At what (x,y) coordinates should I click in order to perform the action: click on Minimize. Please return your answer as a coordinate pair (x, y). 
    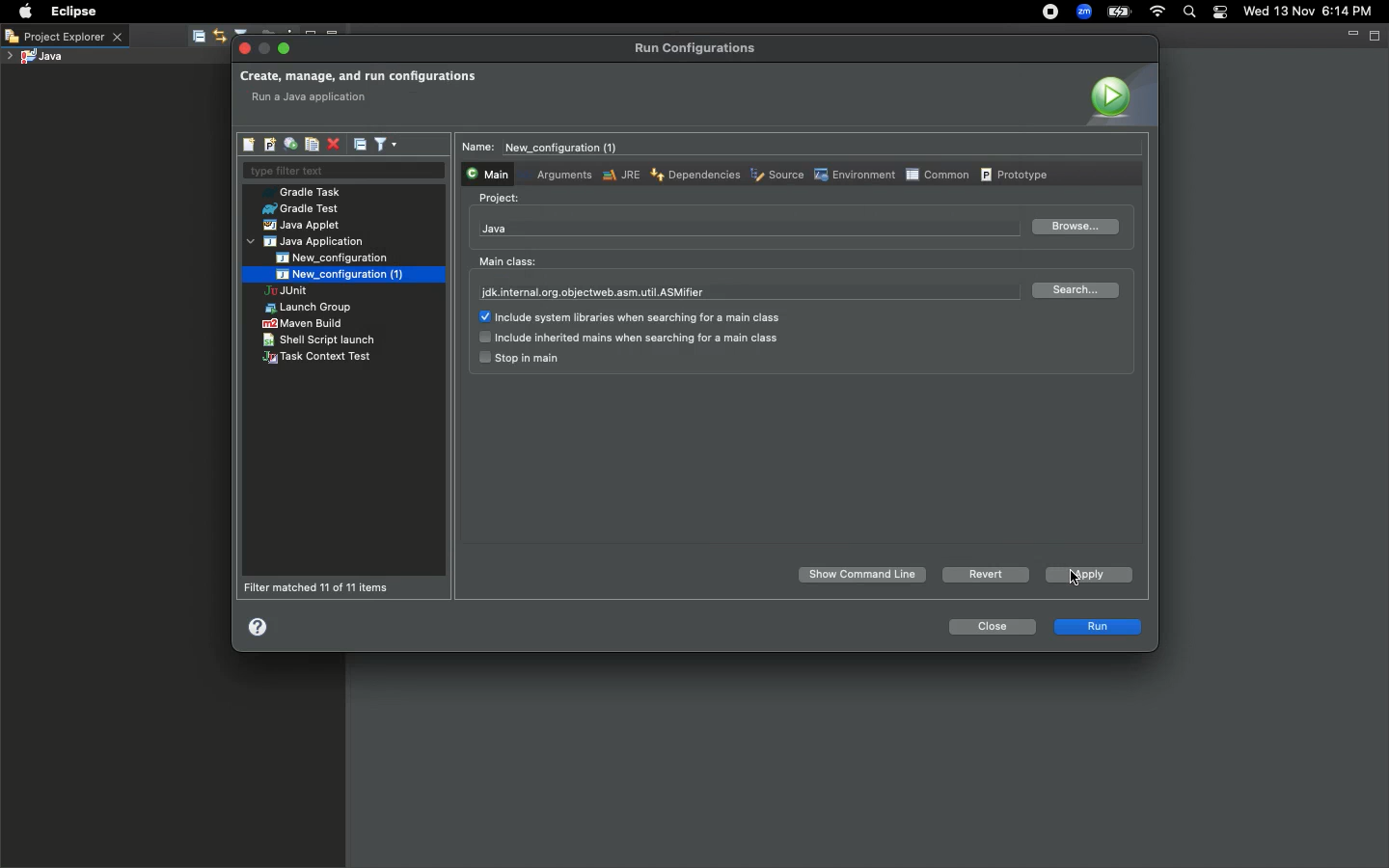
    Looking at the image, I should click on (1351, 34).